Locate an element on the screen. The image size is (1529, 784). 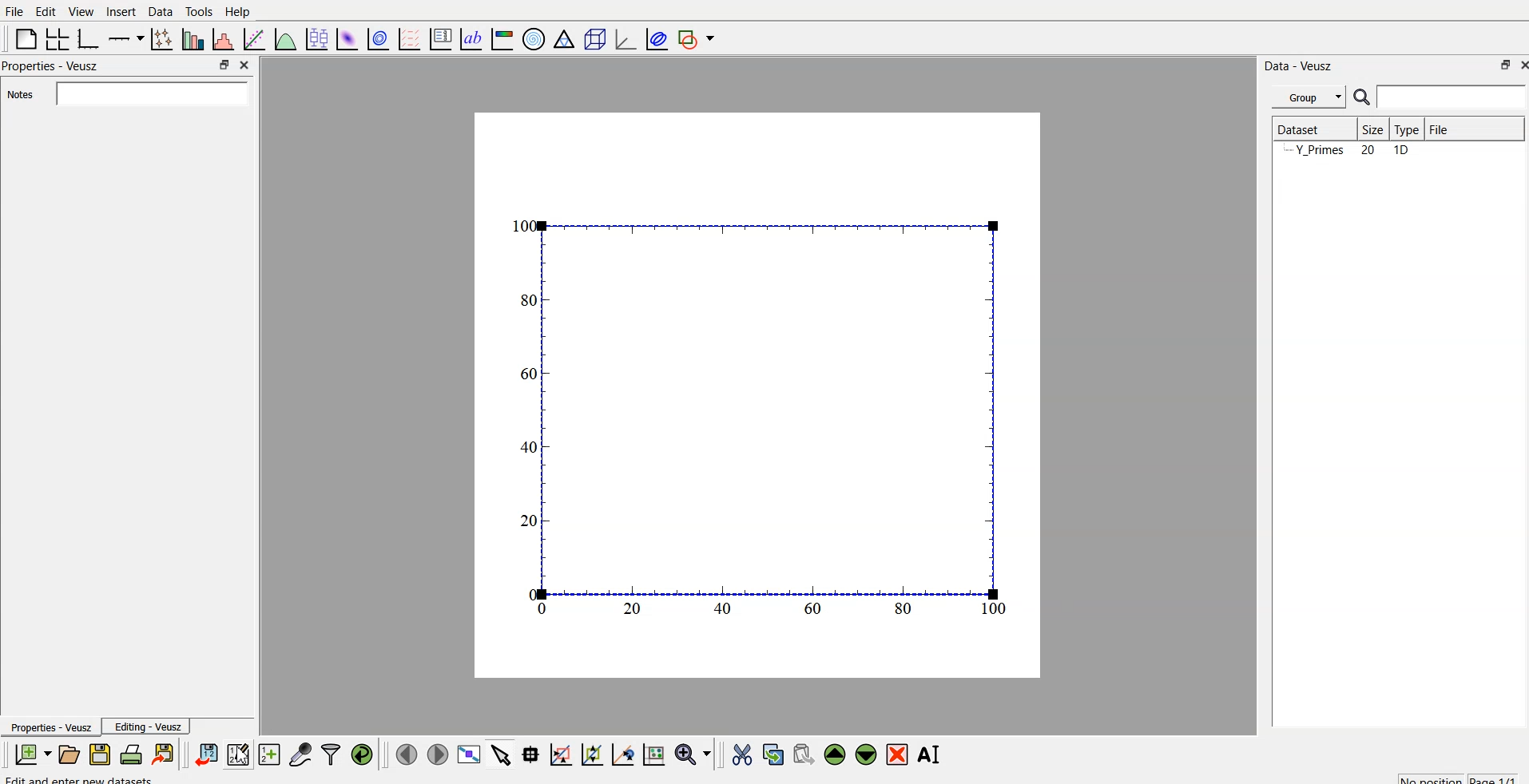
3D scene is located at coordinates (595, 41).